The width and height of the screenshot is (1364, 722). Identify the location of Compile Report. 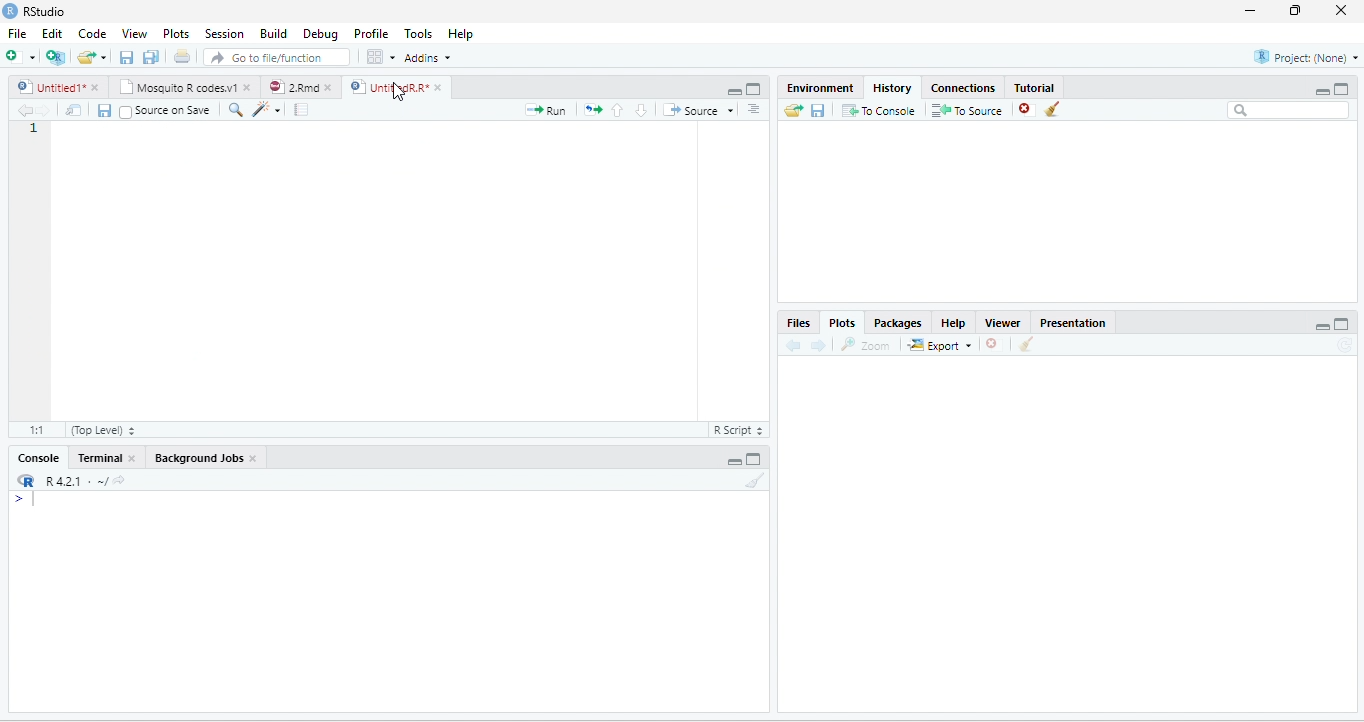
(301, 110).